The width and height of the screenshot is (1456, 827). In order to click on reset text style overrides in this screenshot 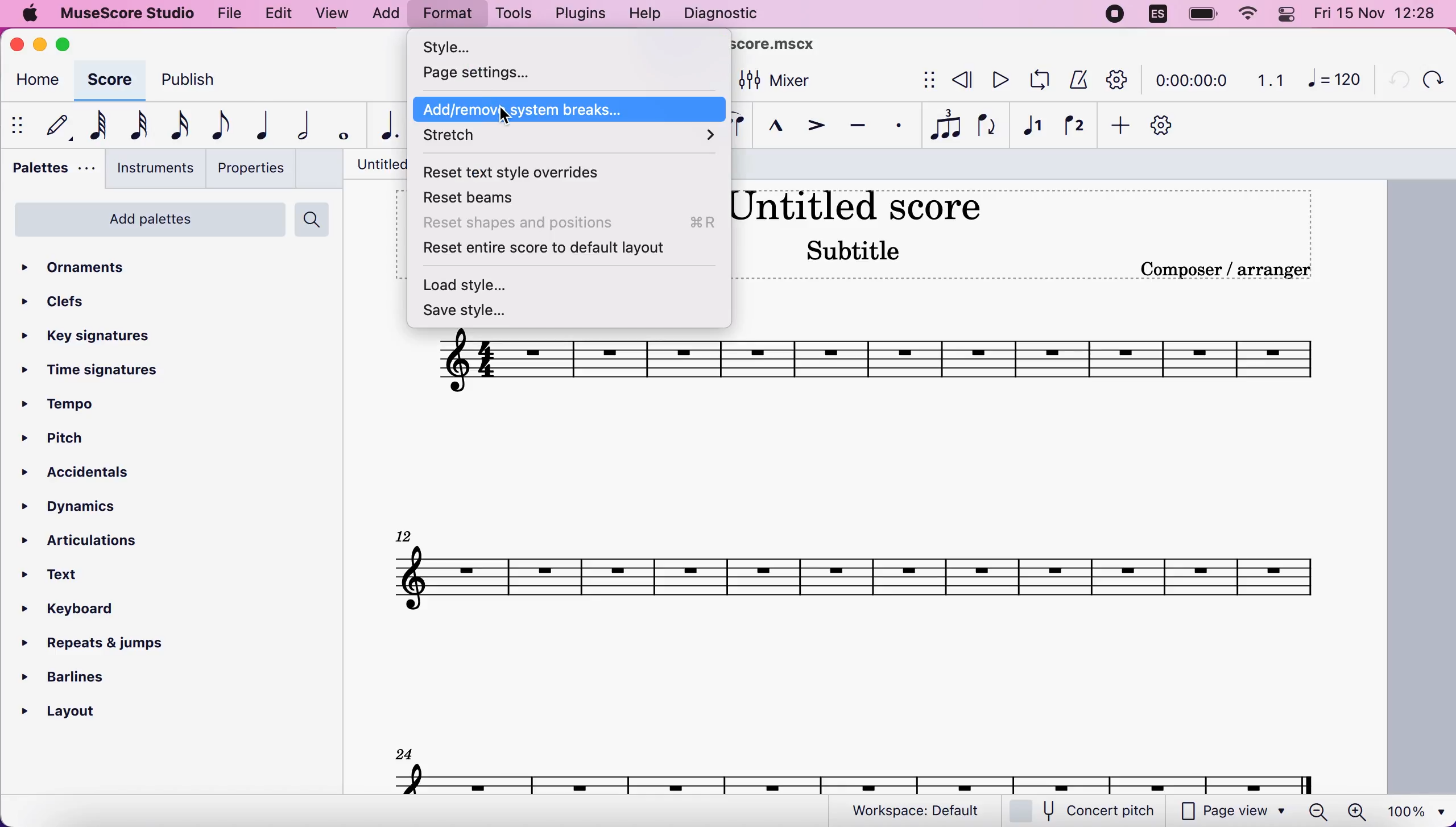, I will do `click(525, 172)`.